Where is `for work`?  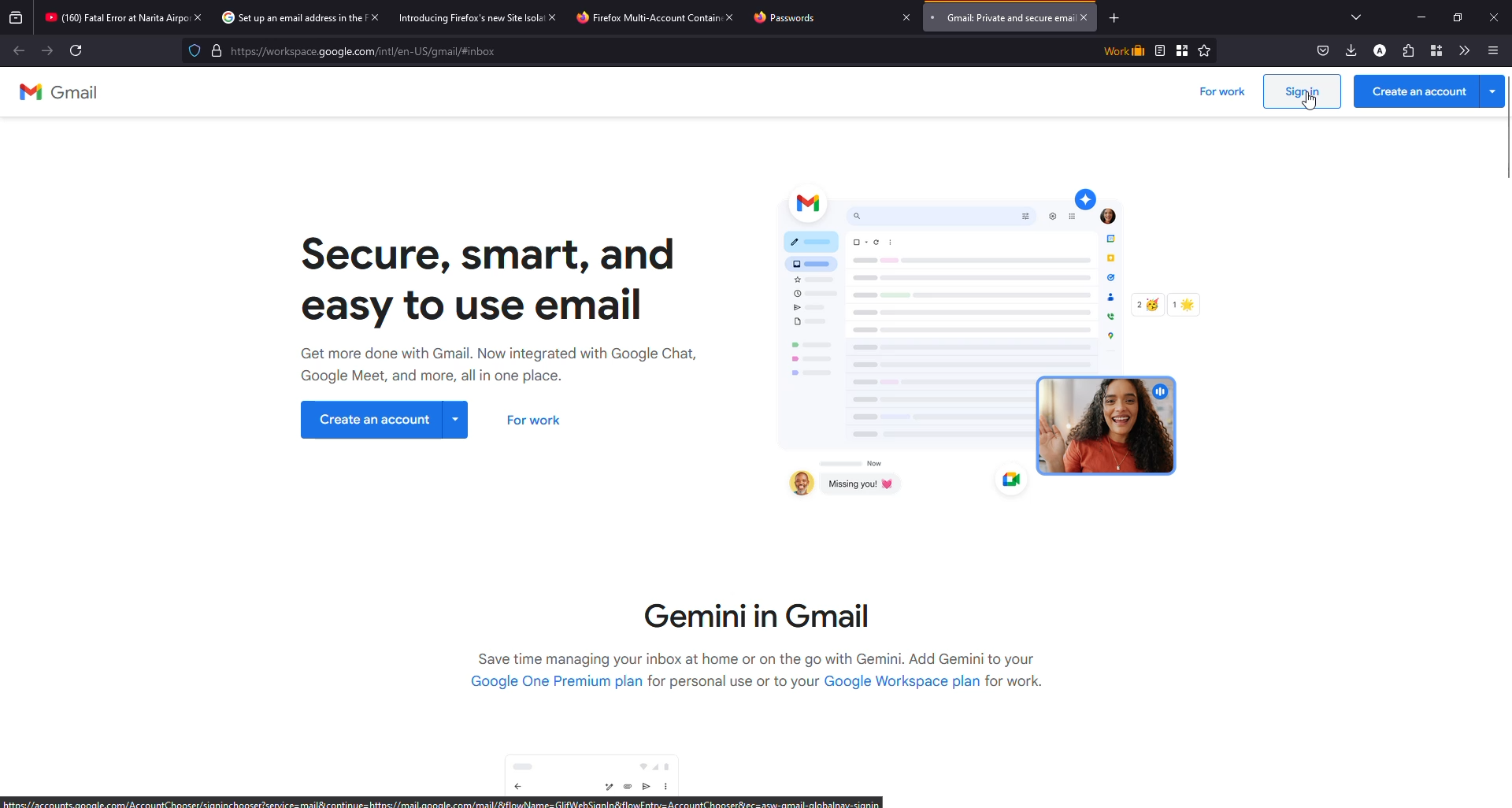
for work is located at coordinates (1222, 94).